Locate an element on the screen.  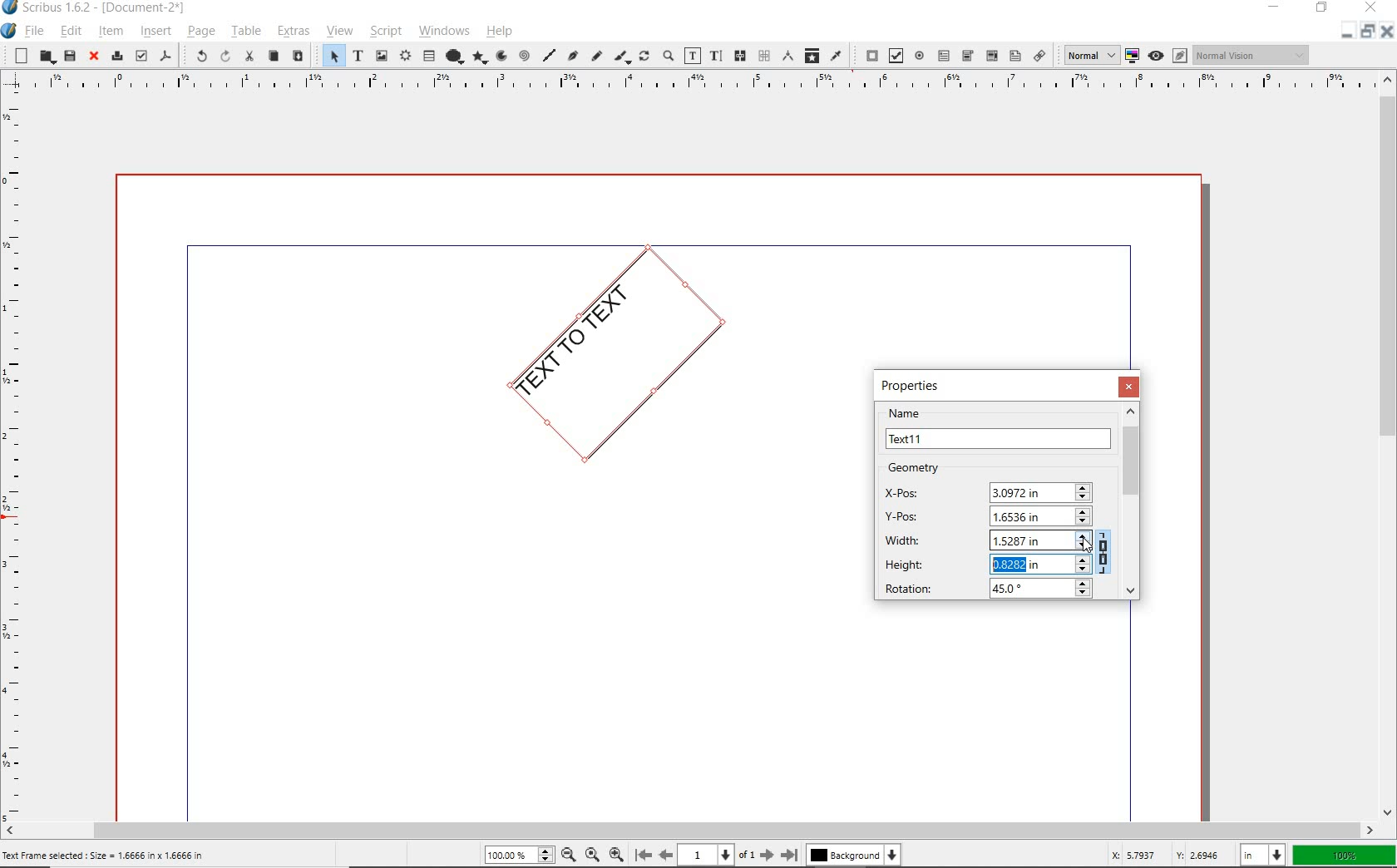
pdf check box is located at coordinates (896, 55).